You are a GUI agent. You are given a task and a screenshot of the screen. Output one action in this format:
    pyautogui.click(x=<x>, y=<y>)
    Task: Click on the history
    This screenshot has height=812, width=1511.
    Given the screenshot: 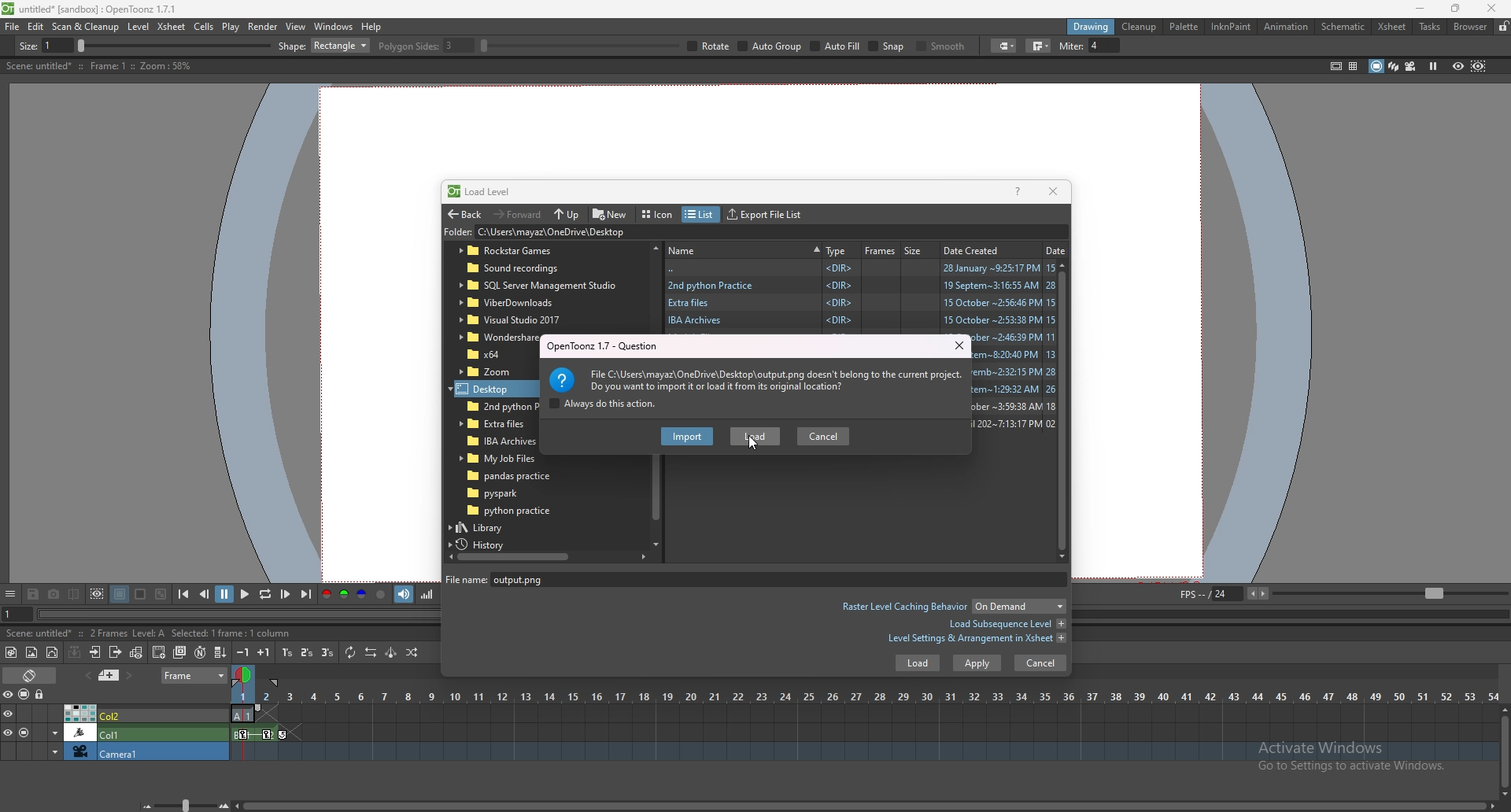 What is the action you would take?
    pyautogui.click(x=486, y=544)
    